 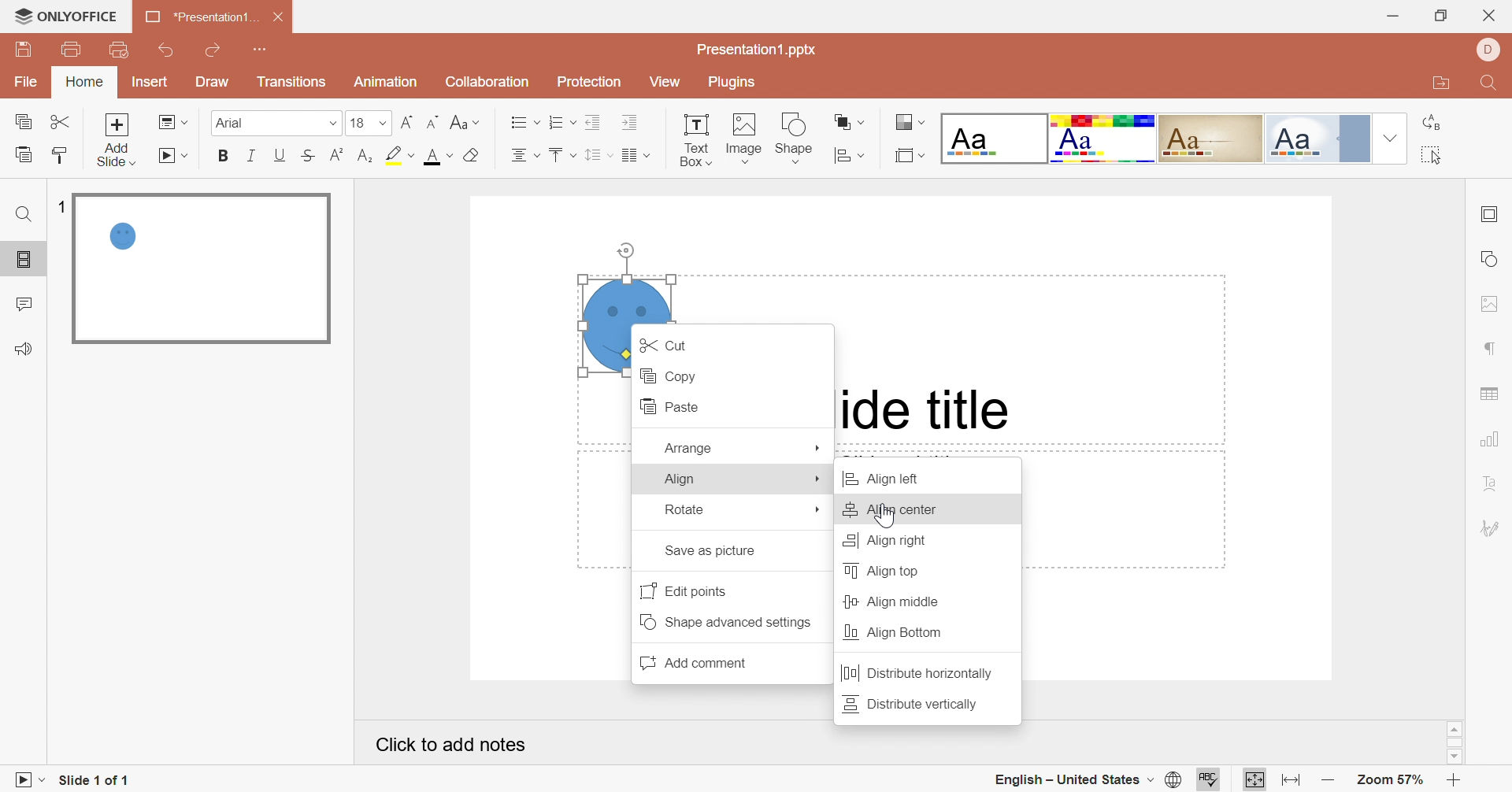 I want to click on 1, so click(x=61, y=204).